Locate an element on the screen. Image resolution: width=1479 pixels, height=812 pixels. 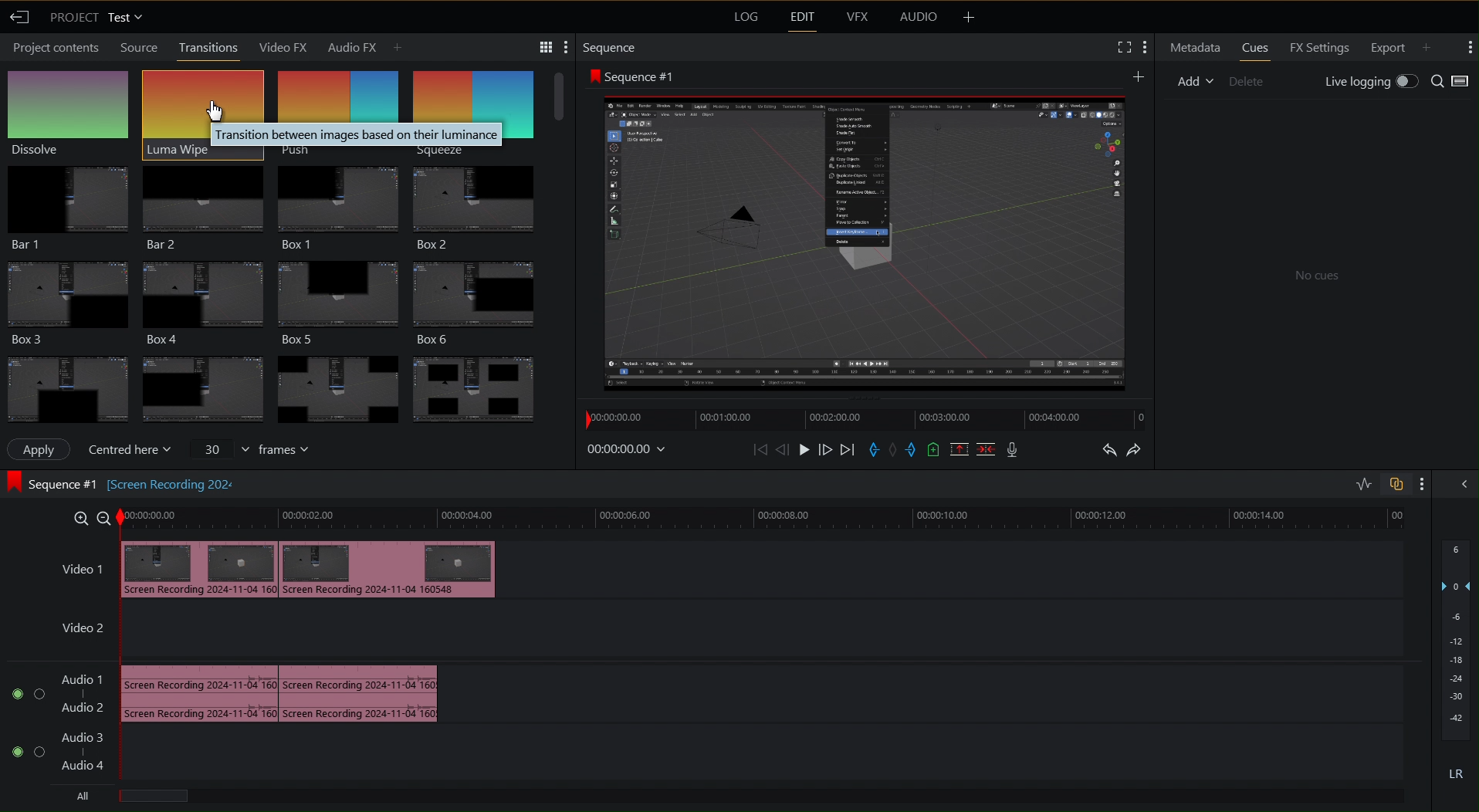
Delete is located at coordinates (1247, 81).